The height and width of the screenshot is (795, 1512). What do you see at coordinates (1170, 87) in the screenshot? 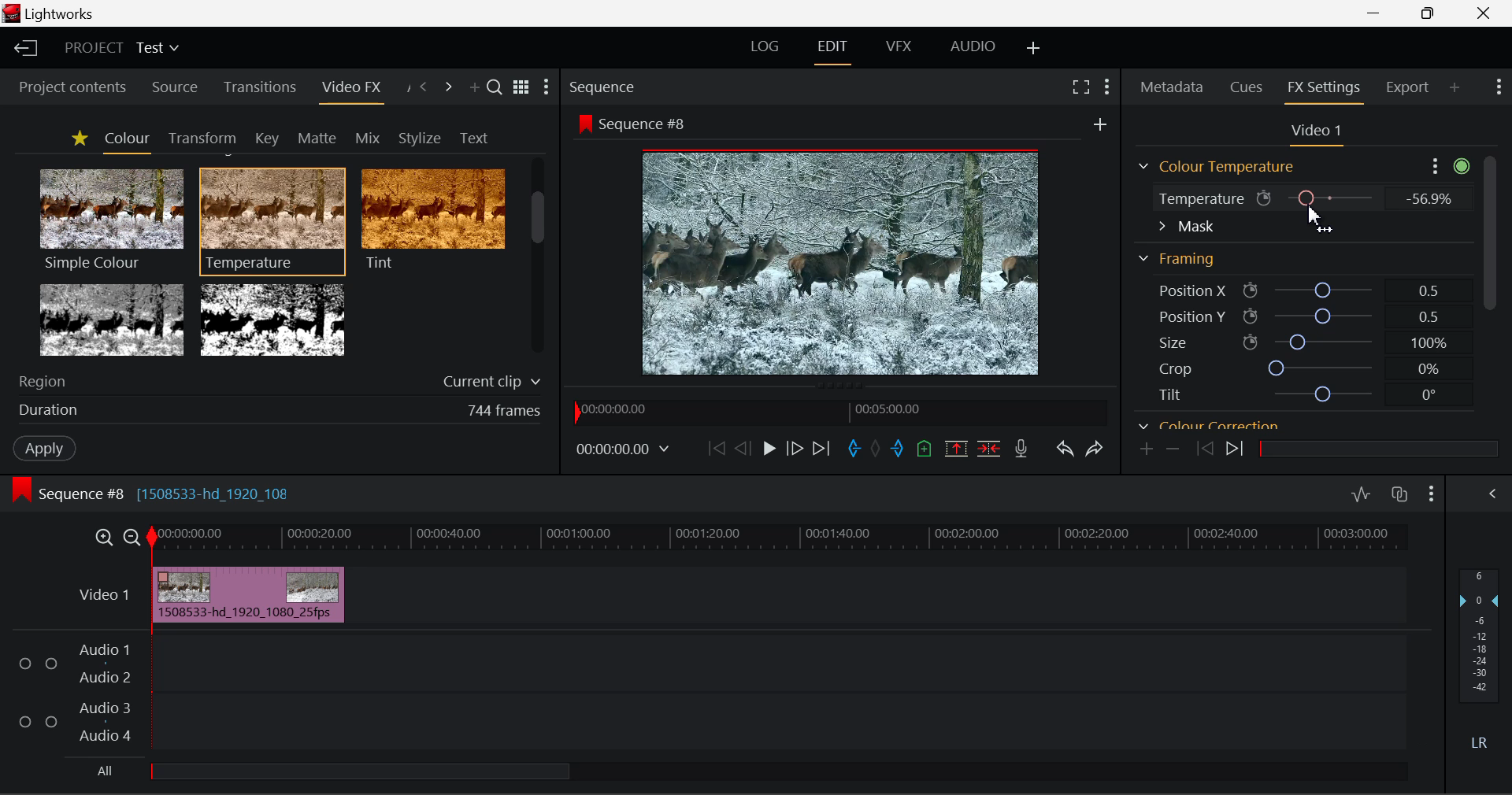
I see `Metadata` at bounding box center [1170, 87].